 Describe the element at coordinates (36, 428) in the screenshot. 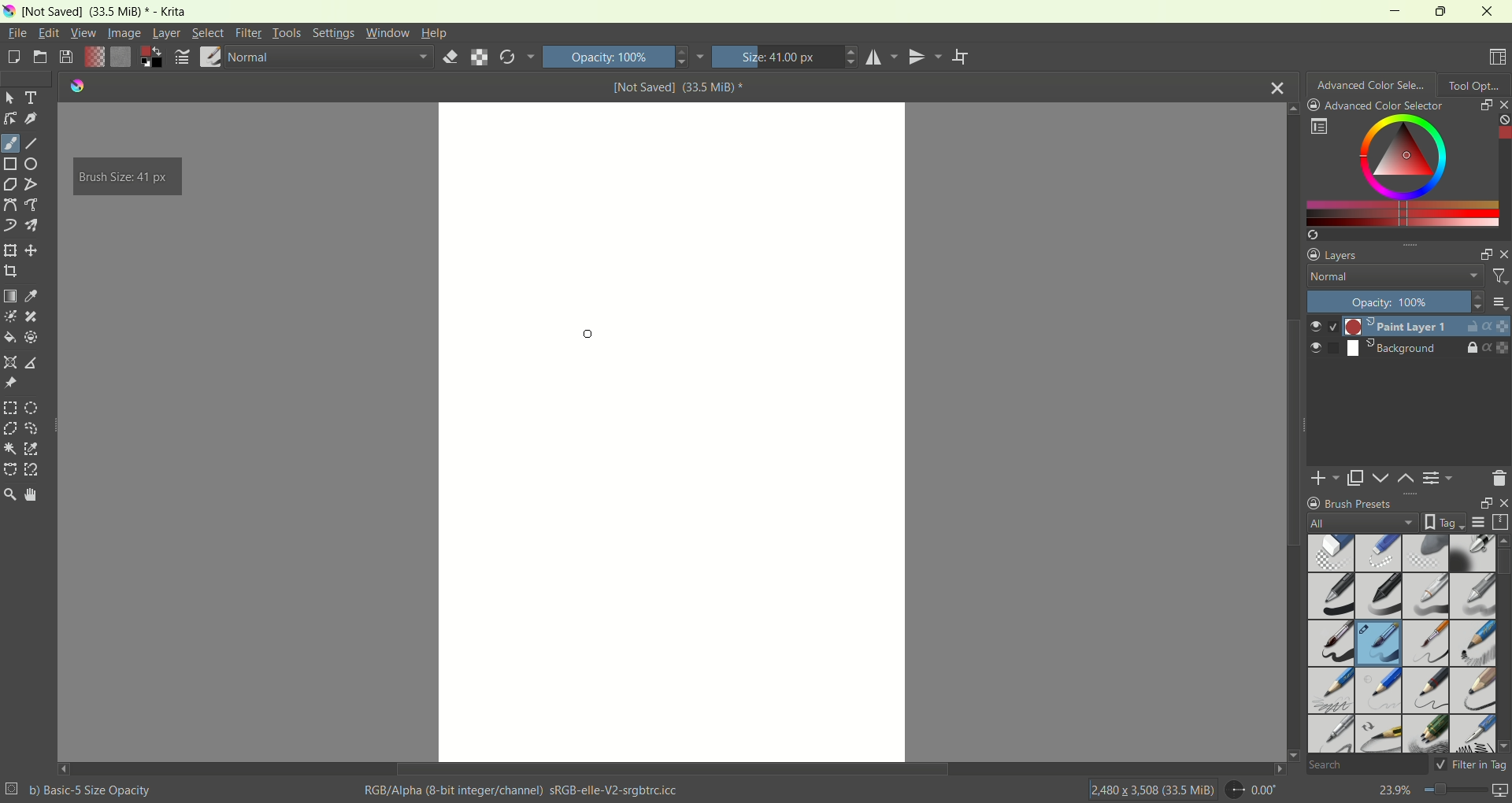

I see `free hand selection` at that location.